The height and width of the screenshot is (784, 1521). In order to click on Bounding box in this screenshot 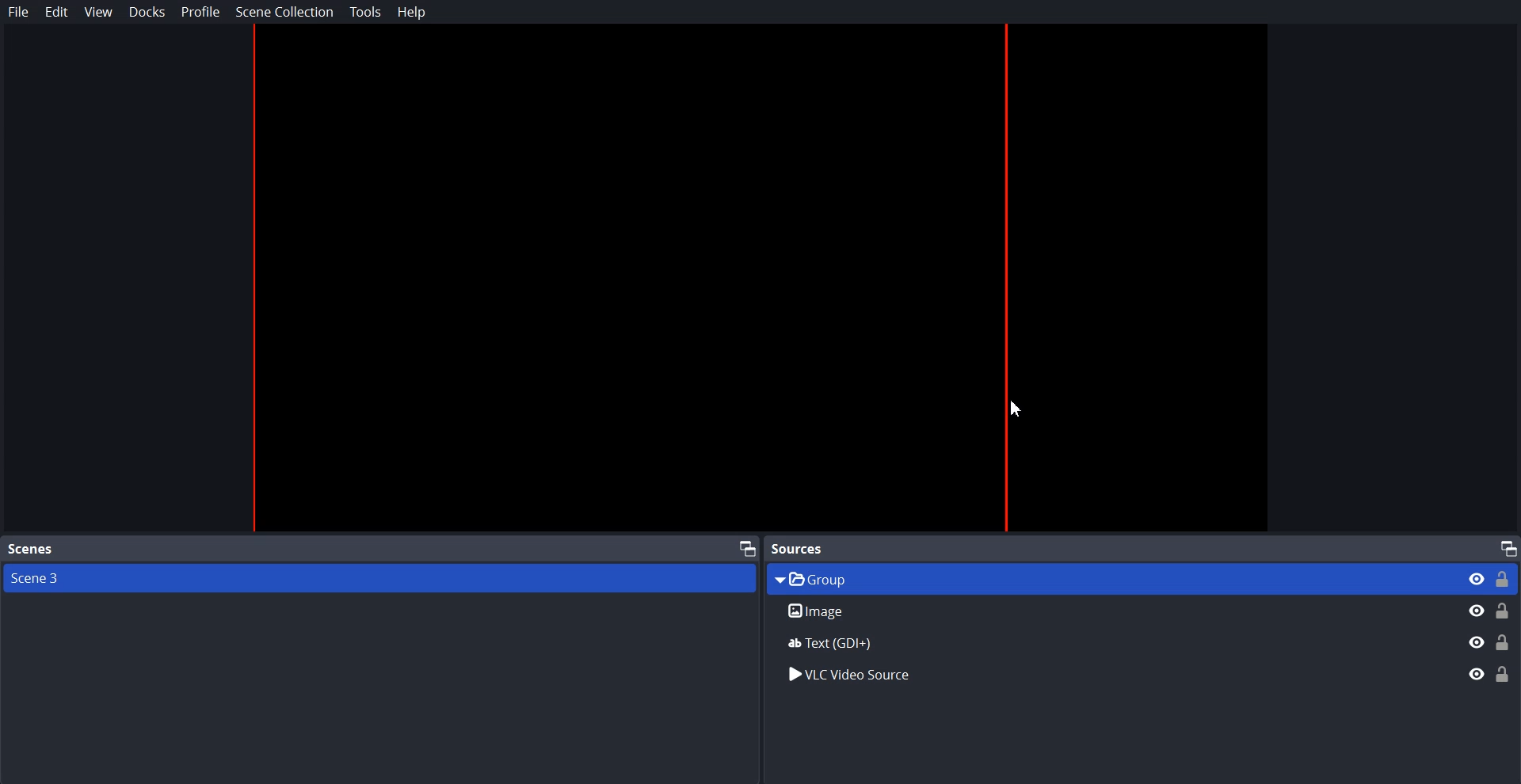, I will do `click(754, 280)`.